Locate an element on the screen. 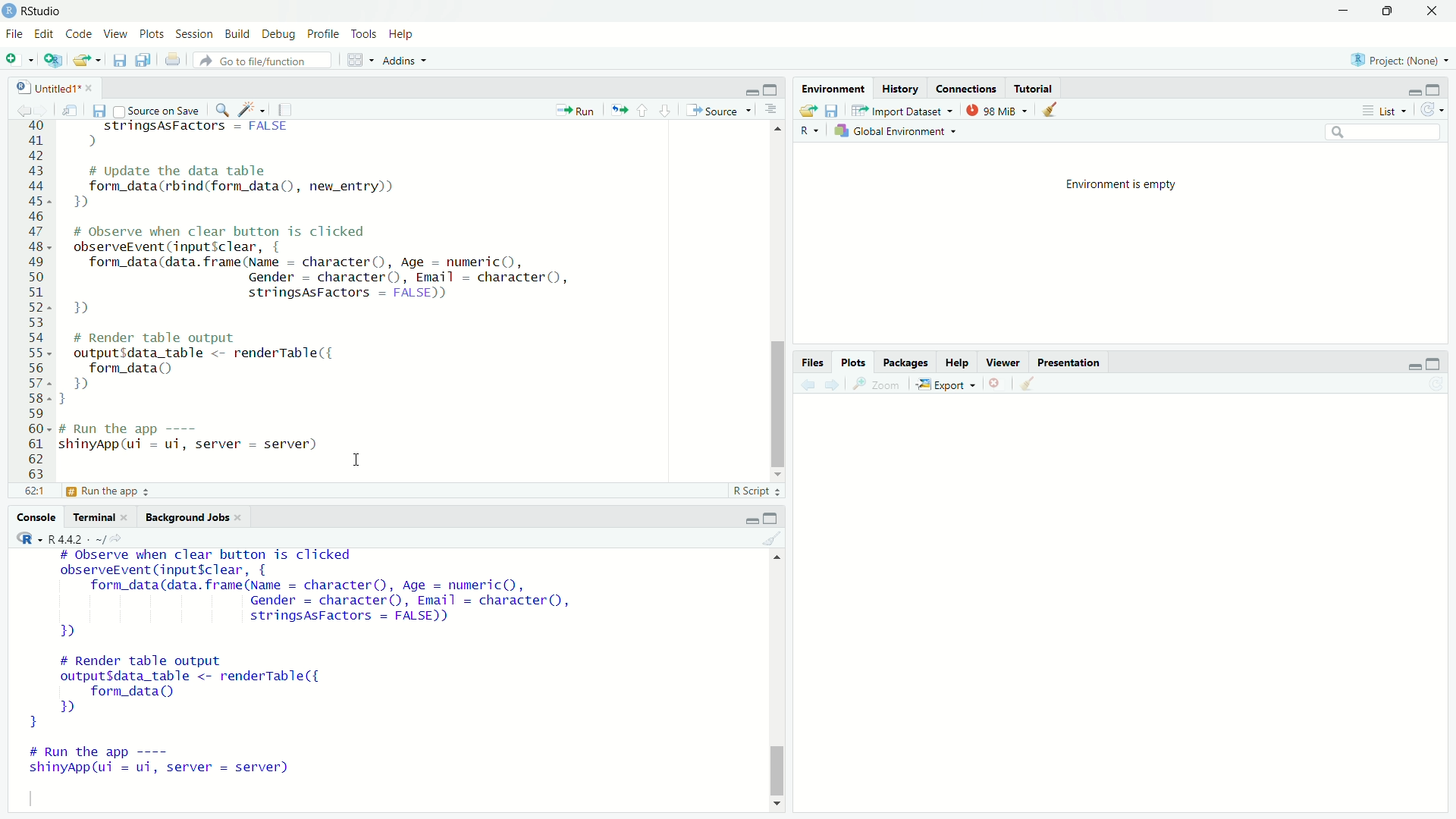 This screenshot has width=1456, height=819. view a larger version of the plot in new window is located at coordinates (876, 384).